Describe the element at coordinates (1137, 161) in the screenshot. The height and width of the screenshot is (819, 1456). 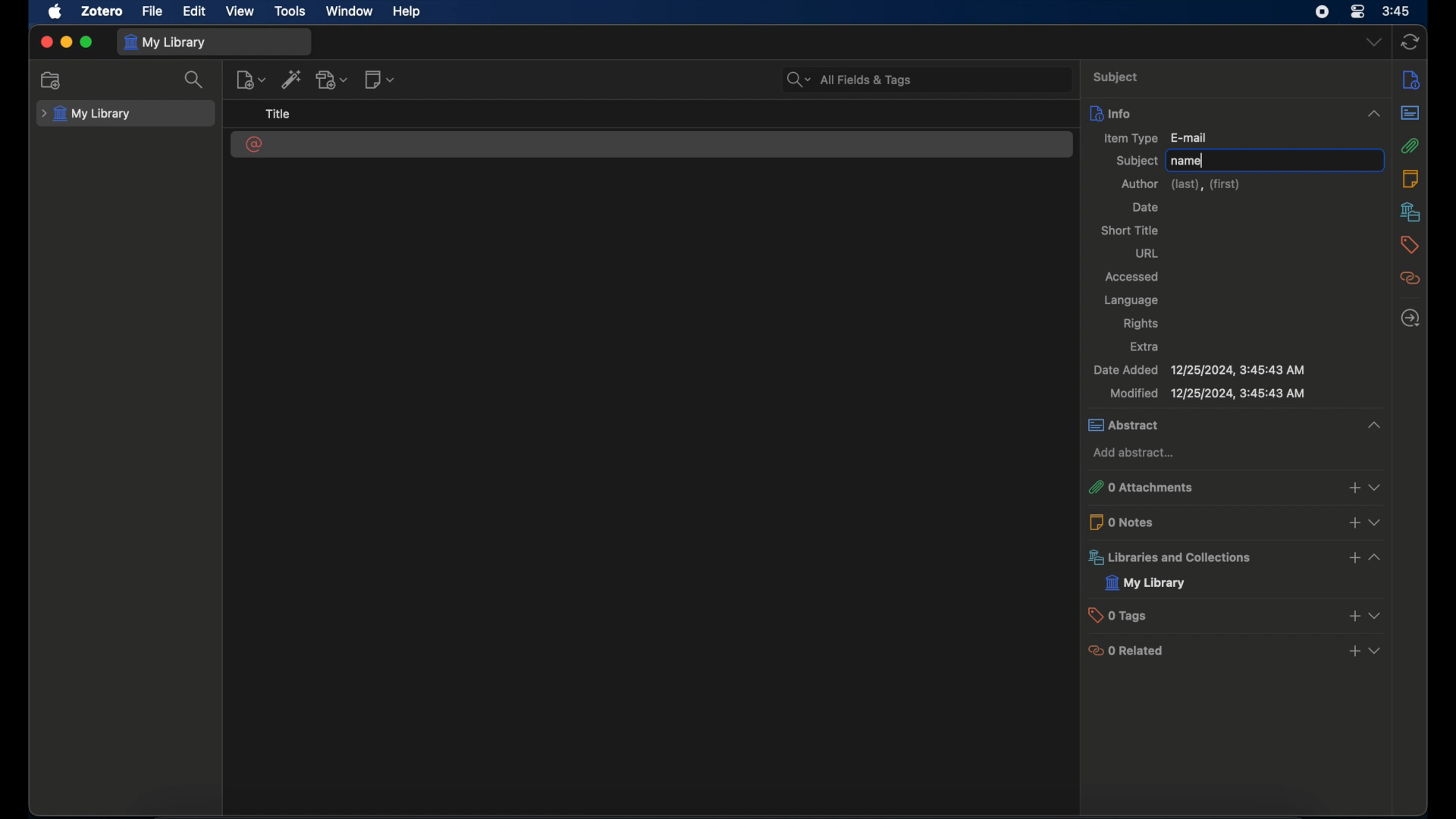
I see `subject` at that location.